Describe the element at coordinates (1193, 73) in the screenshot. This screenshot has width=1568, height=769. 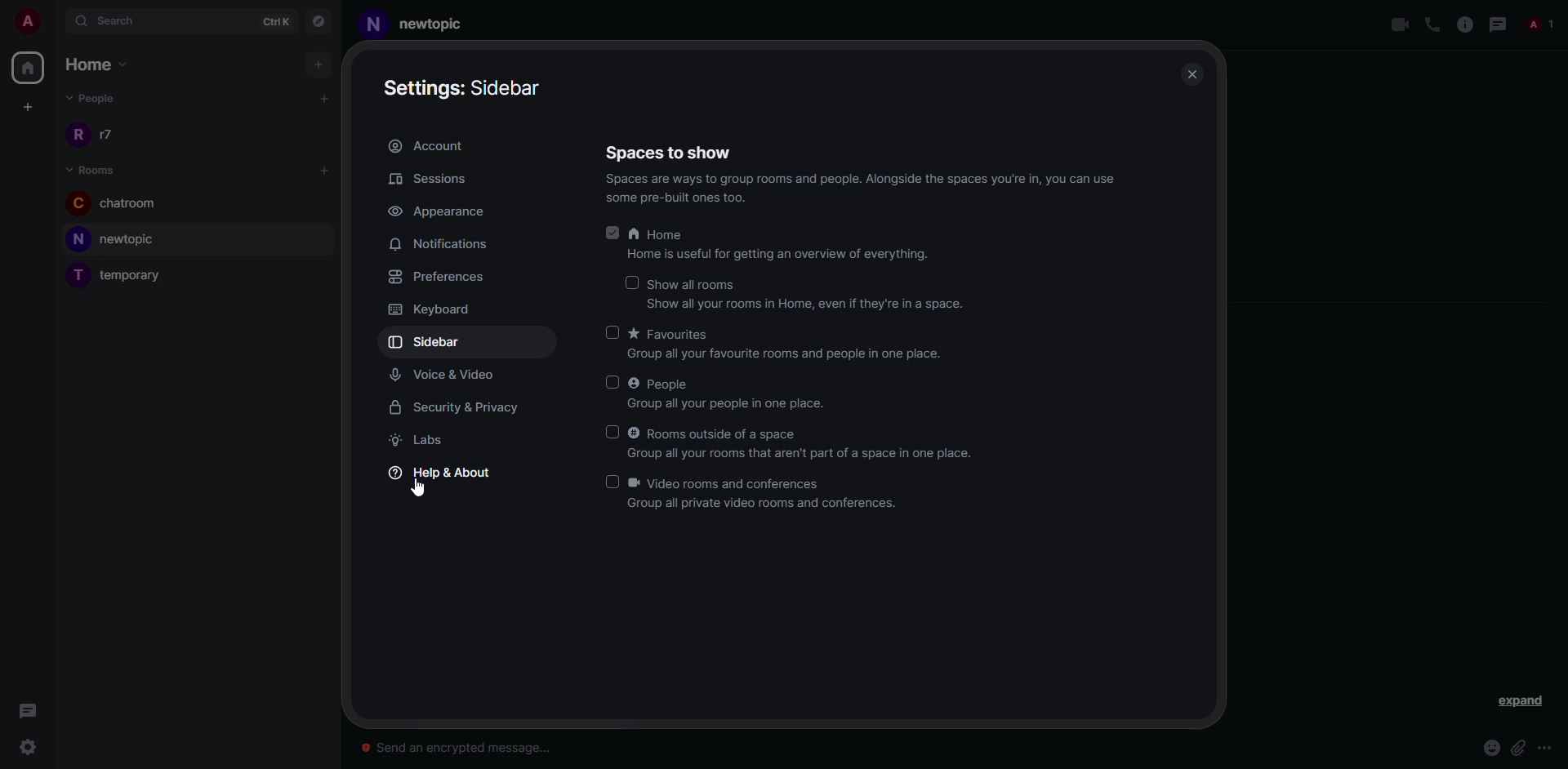
I see `close` at that location.